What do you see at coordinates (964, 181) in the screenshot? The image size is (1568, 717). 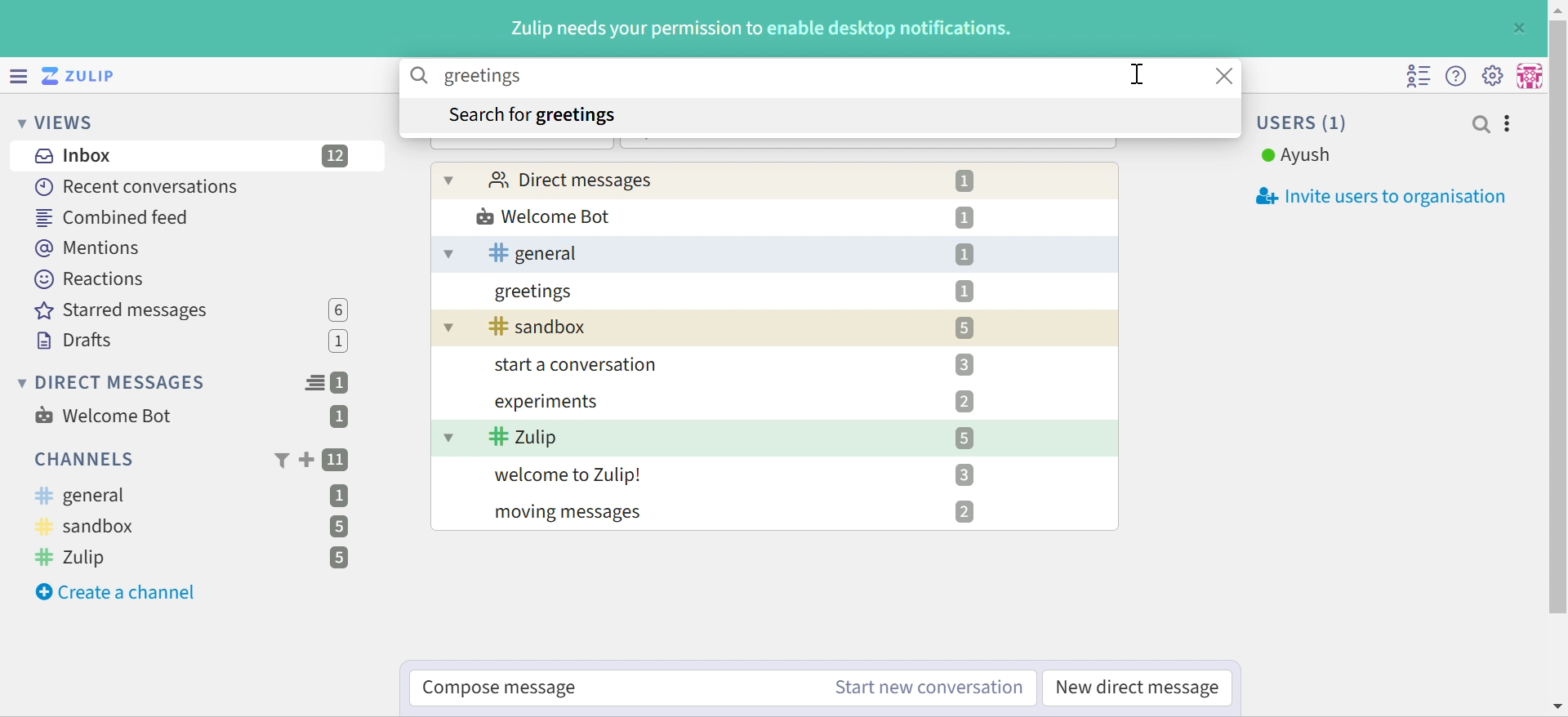 I see `1` at bounding box center [964, 181].